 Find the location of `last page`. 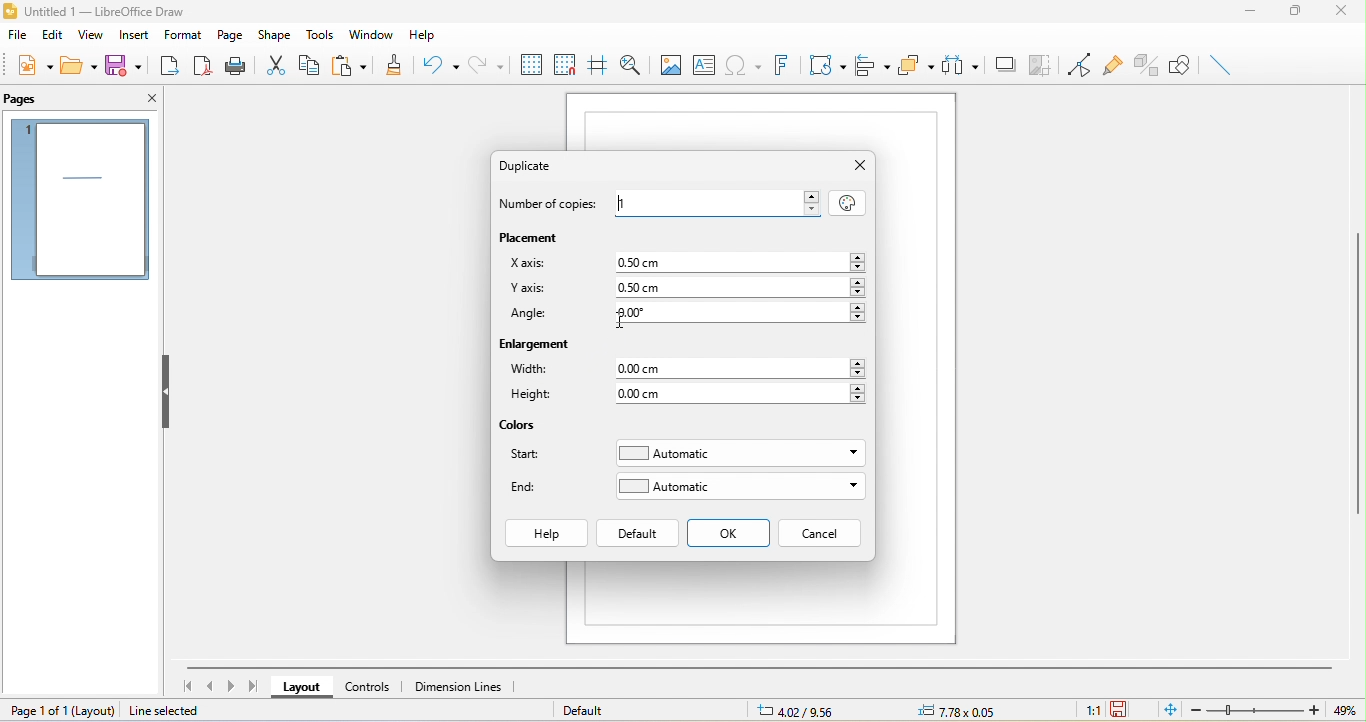

last page is located at coordinates (255, 686).